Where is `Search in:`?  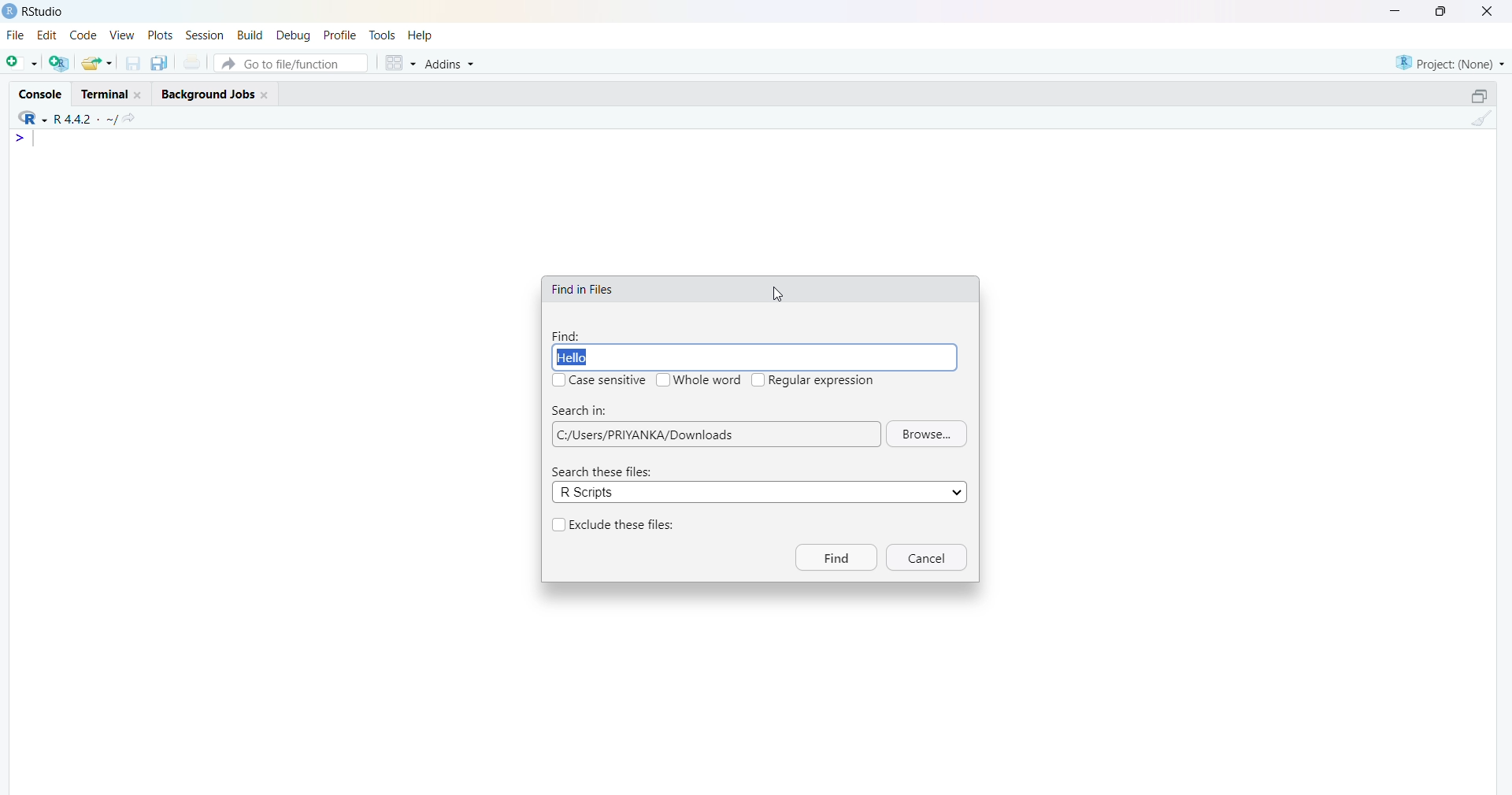 Search in: is located at coordinates (580, 411).